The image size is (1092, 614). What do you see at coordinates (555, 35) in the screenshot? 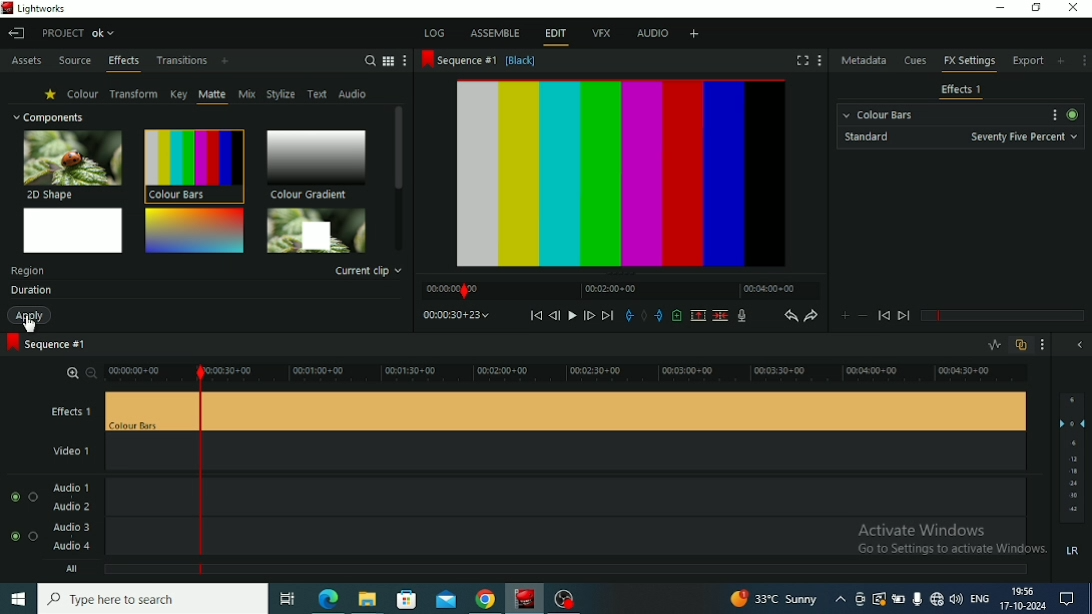
I see `Edit` at bounding box center [555, 35].